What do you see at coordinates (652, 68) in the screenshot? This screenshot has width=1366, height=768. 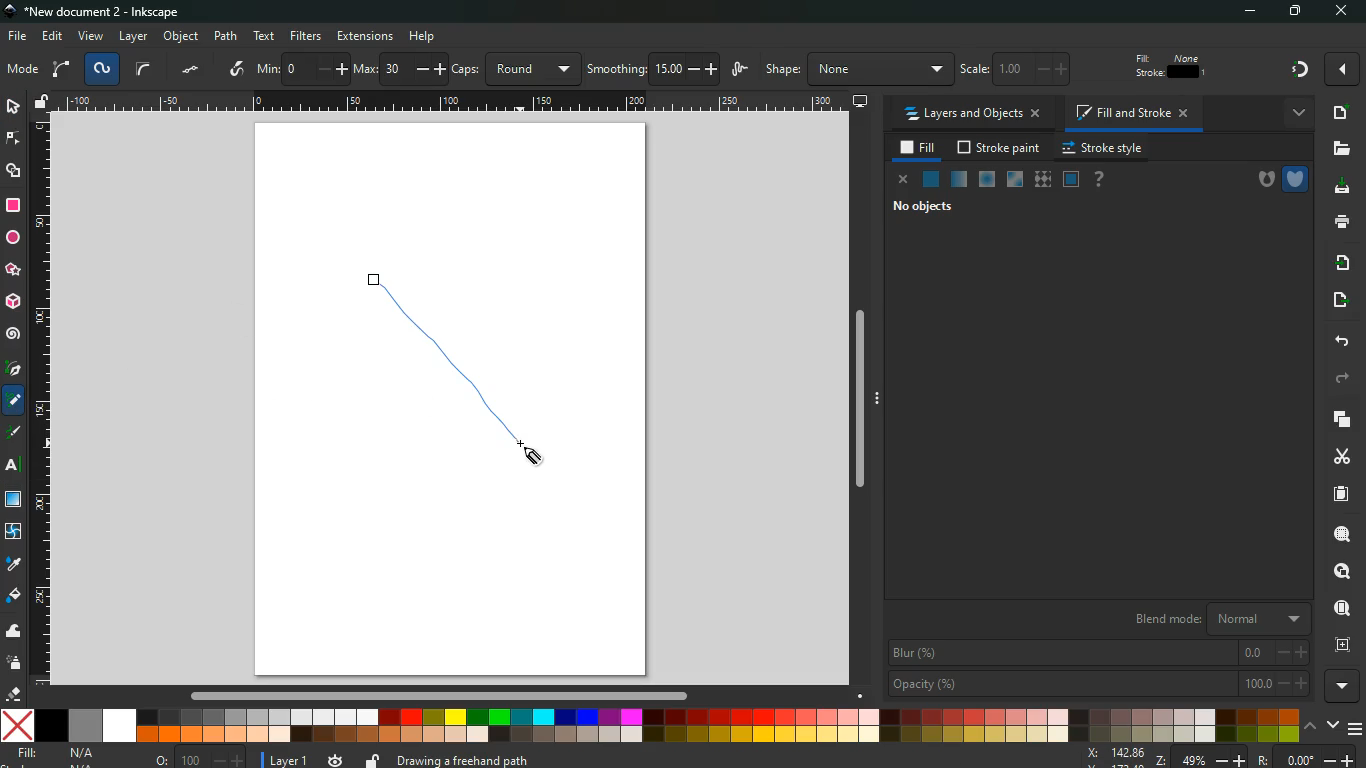 I see `smoothing` at bounding box center [652, 68].